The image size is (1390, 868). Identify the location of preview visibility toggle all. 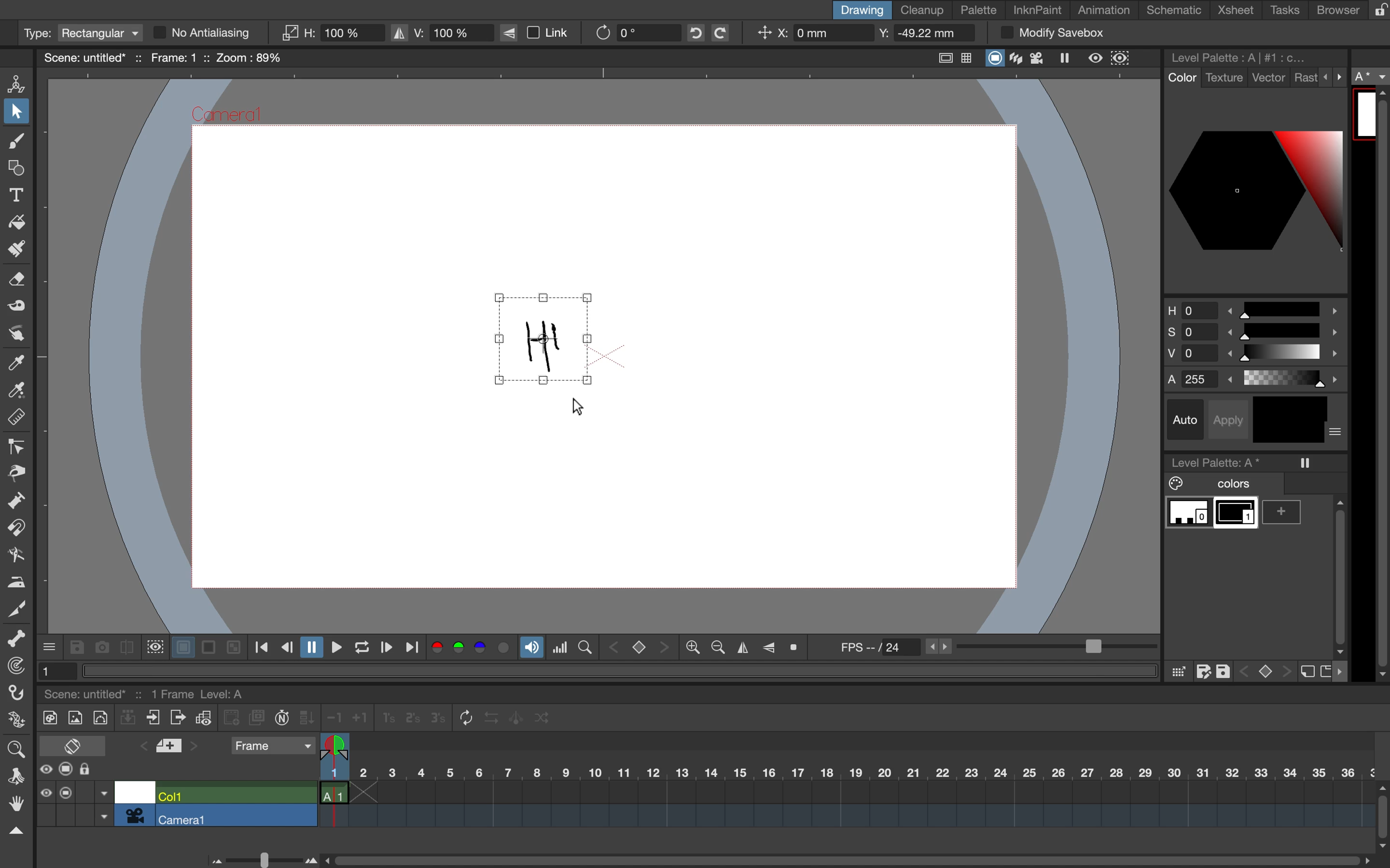
(45, 793).